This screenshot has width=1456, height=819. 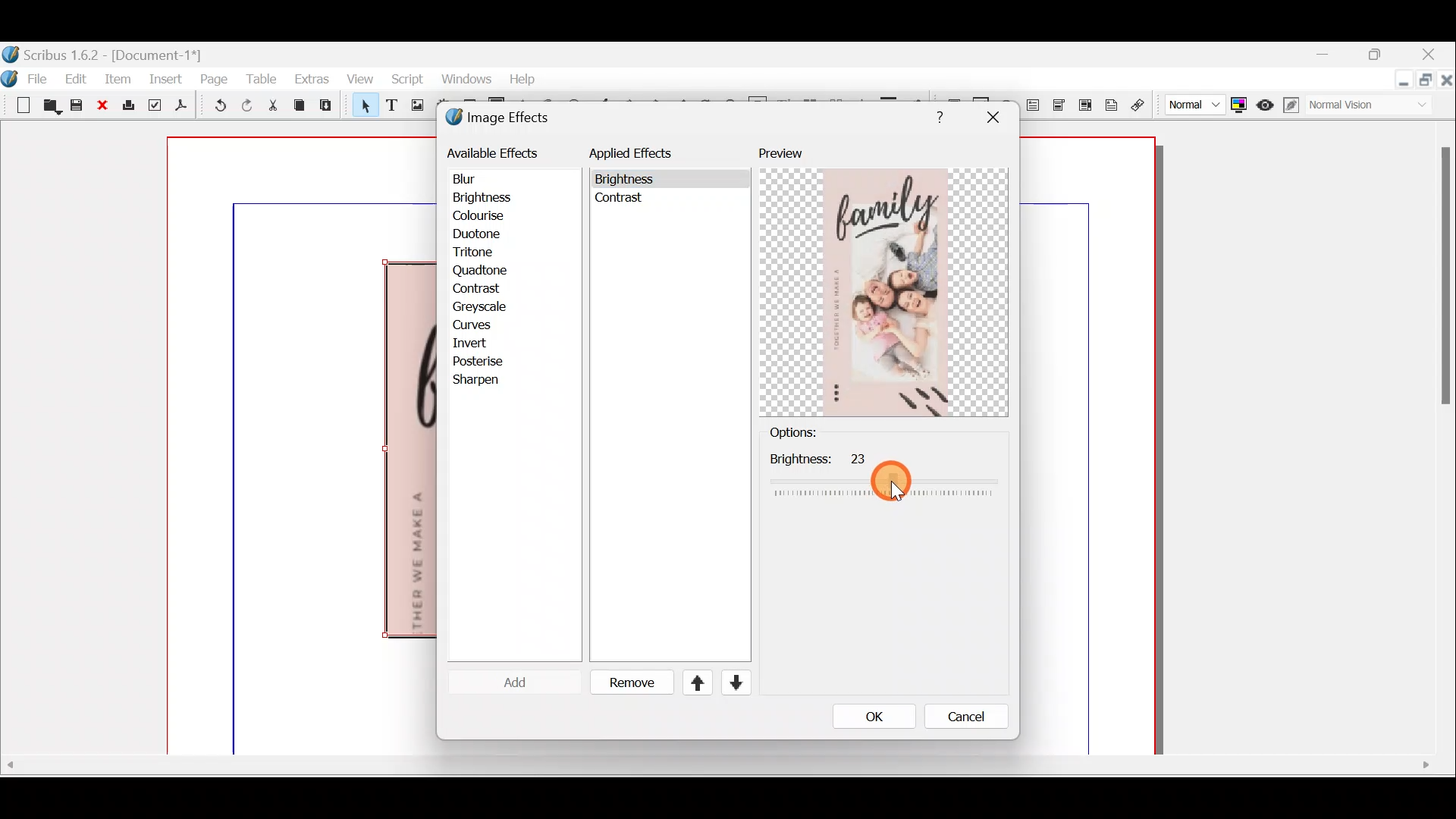 I want to click on Text frame, so click(x=391, y=106).